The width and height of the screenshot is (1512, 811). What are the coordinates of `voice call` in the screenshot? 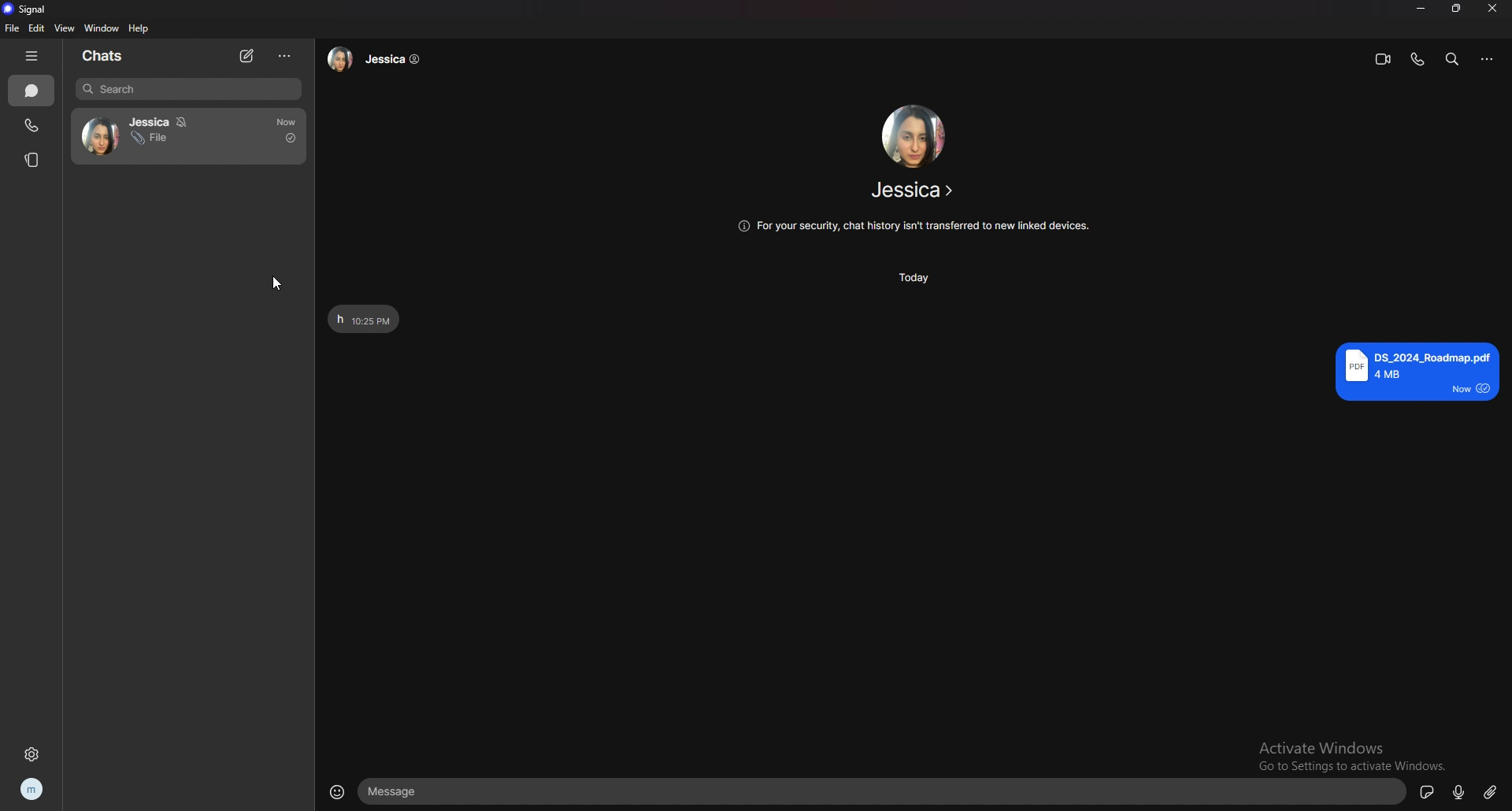 It's located at (1417, 59).